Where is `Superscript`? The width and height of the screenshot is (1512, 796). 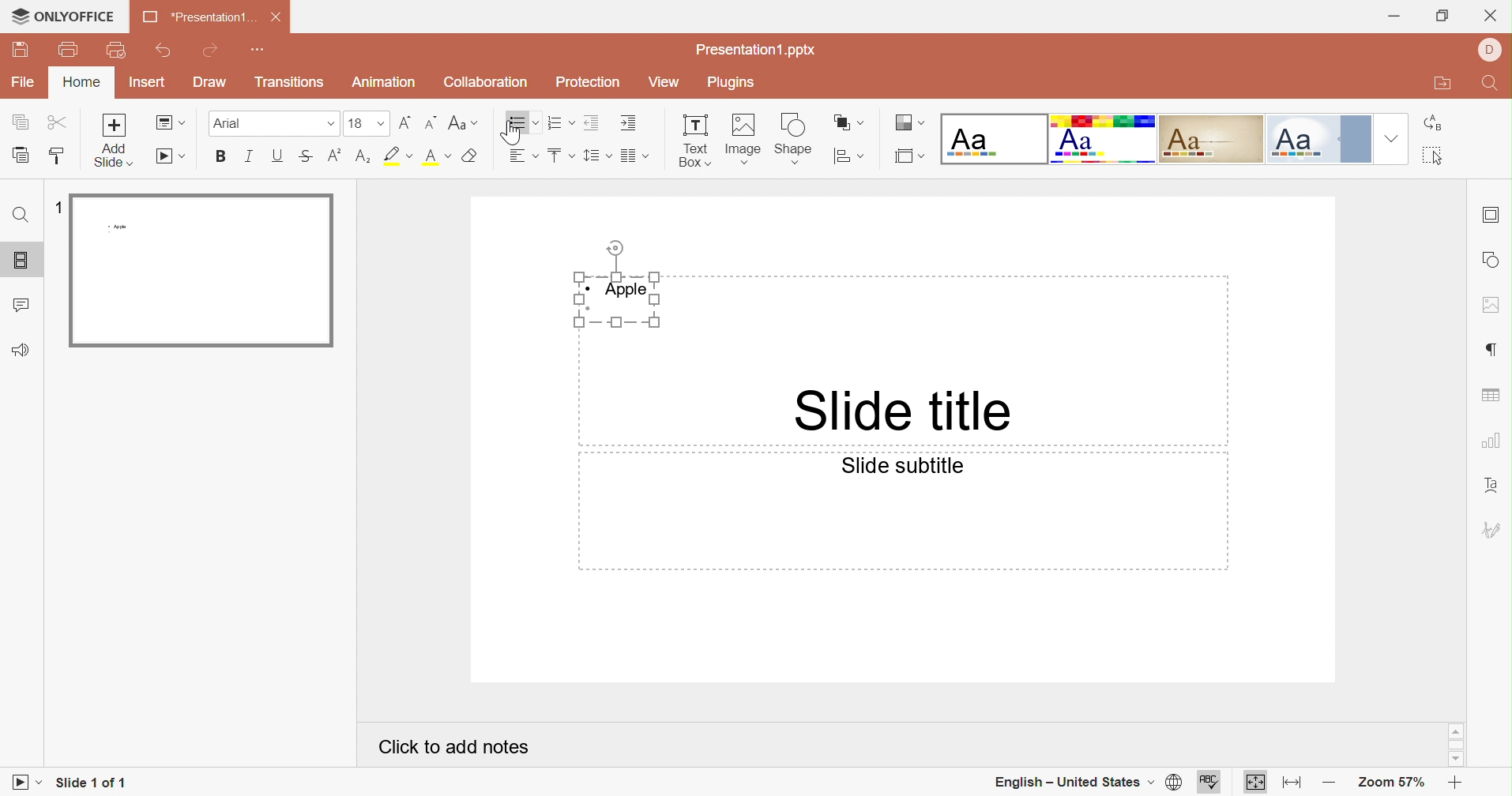 Superscript is located at coordinates (305, 158).